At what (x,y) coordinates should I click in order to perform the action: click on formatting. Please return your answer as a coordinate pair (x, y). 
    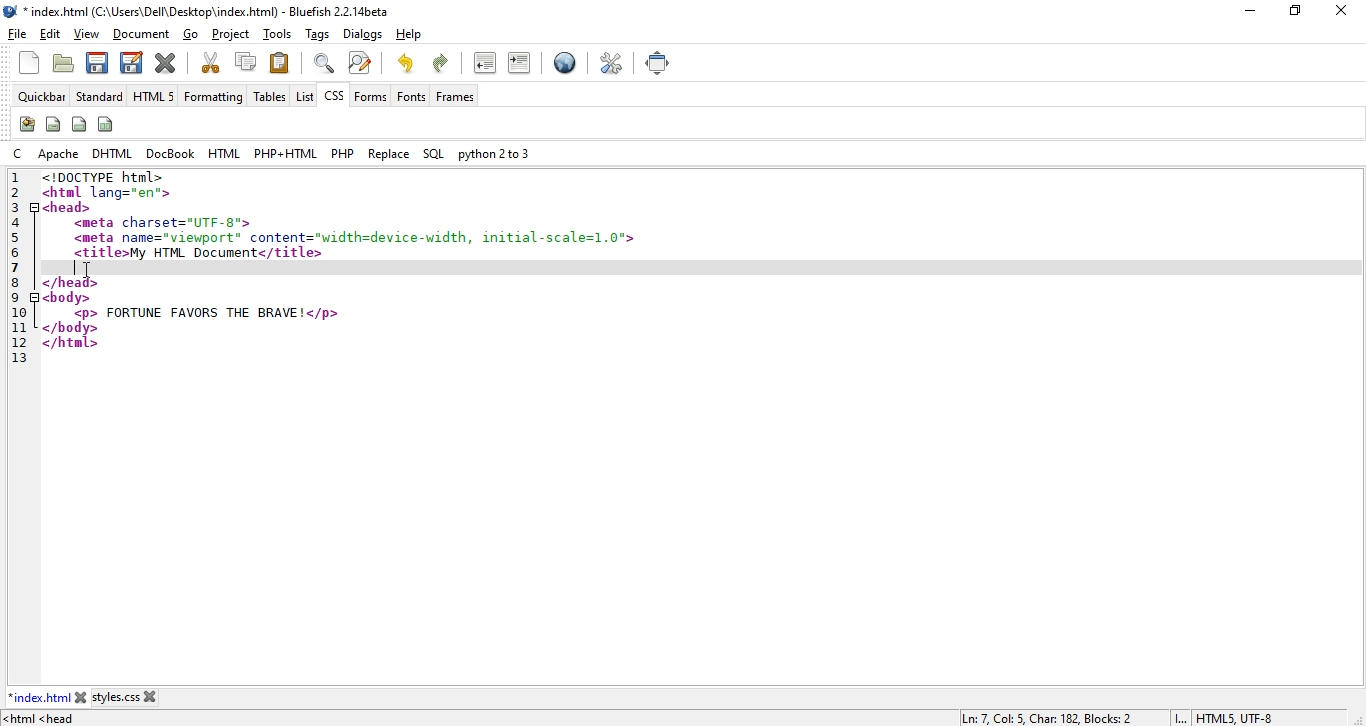
    Looking at the image, I should click on (213, 98).